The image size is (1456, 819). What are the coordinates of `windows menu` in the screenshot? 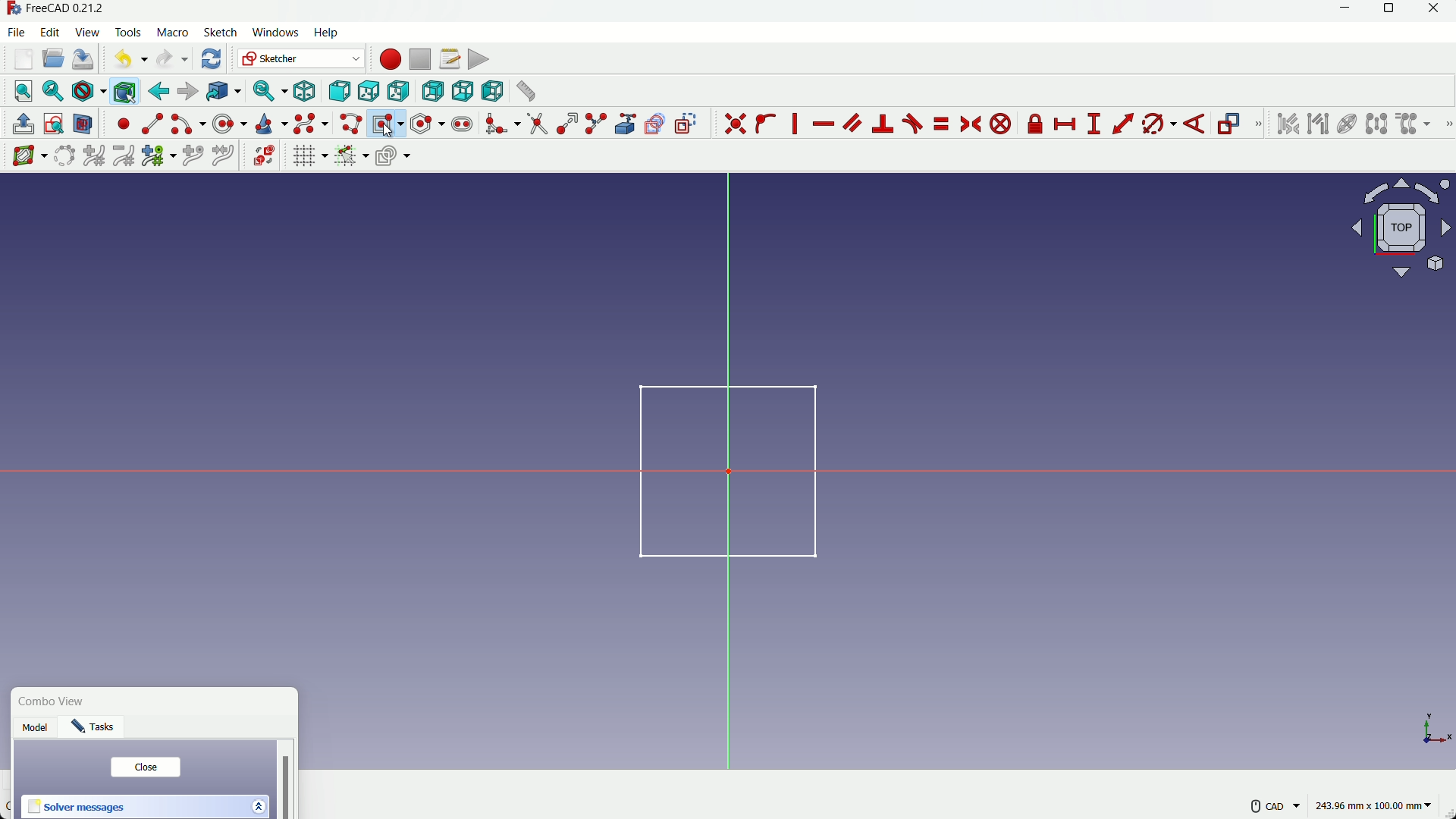 It's located at (275, 33).